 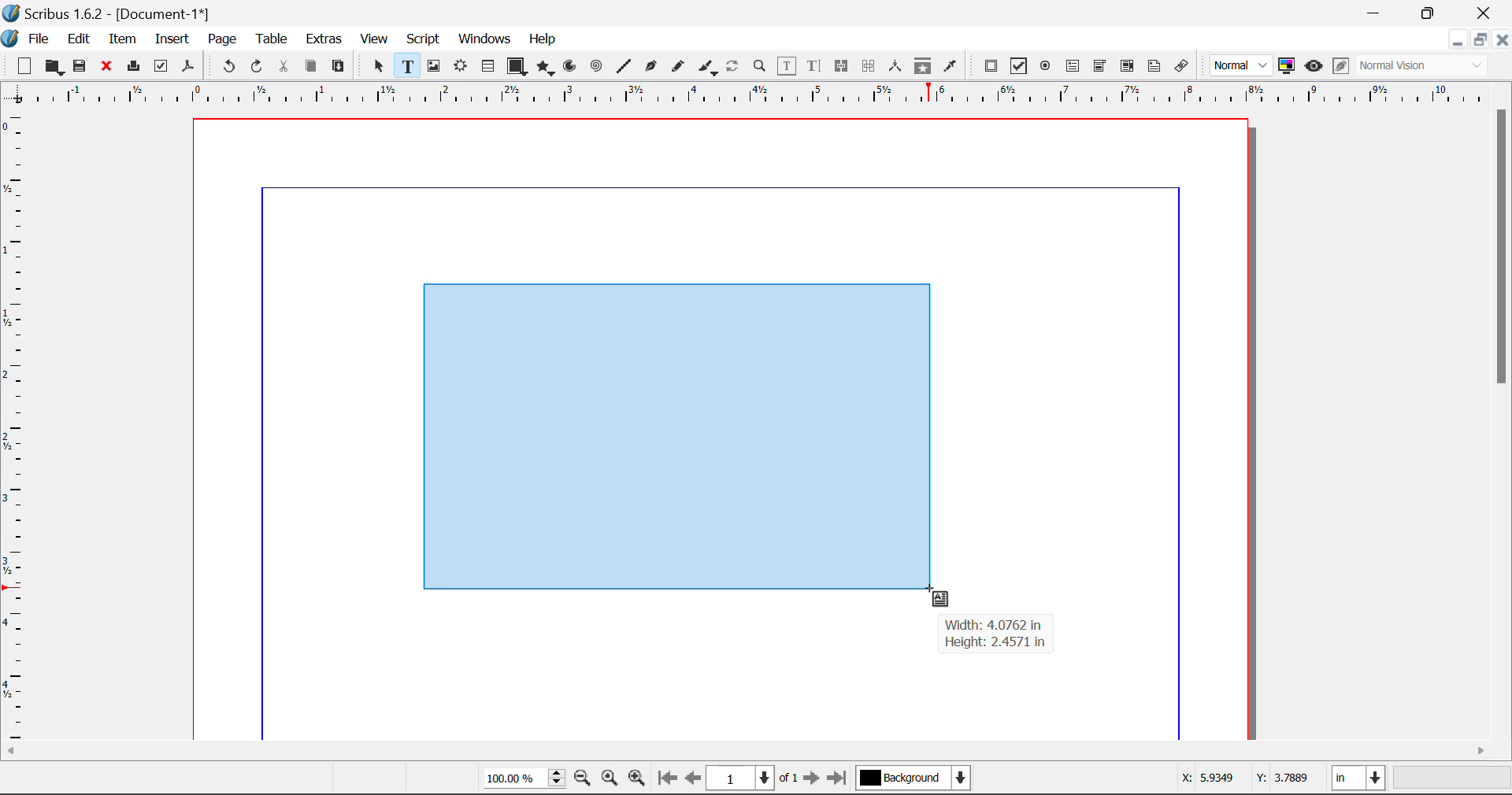 I want to click on Measurements, so click(x=898, y=66).